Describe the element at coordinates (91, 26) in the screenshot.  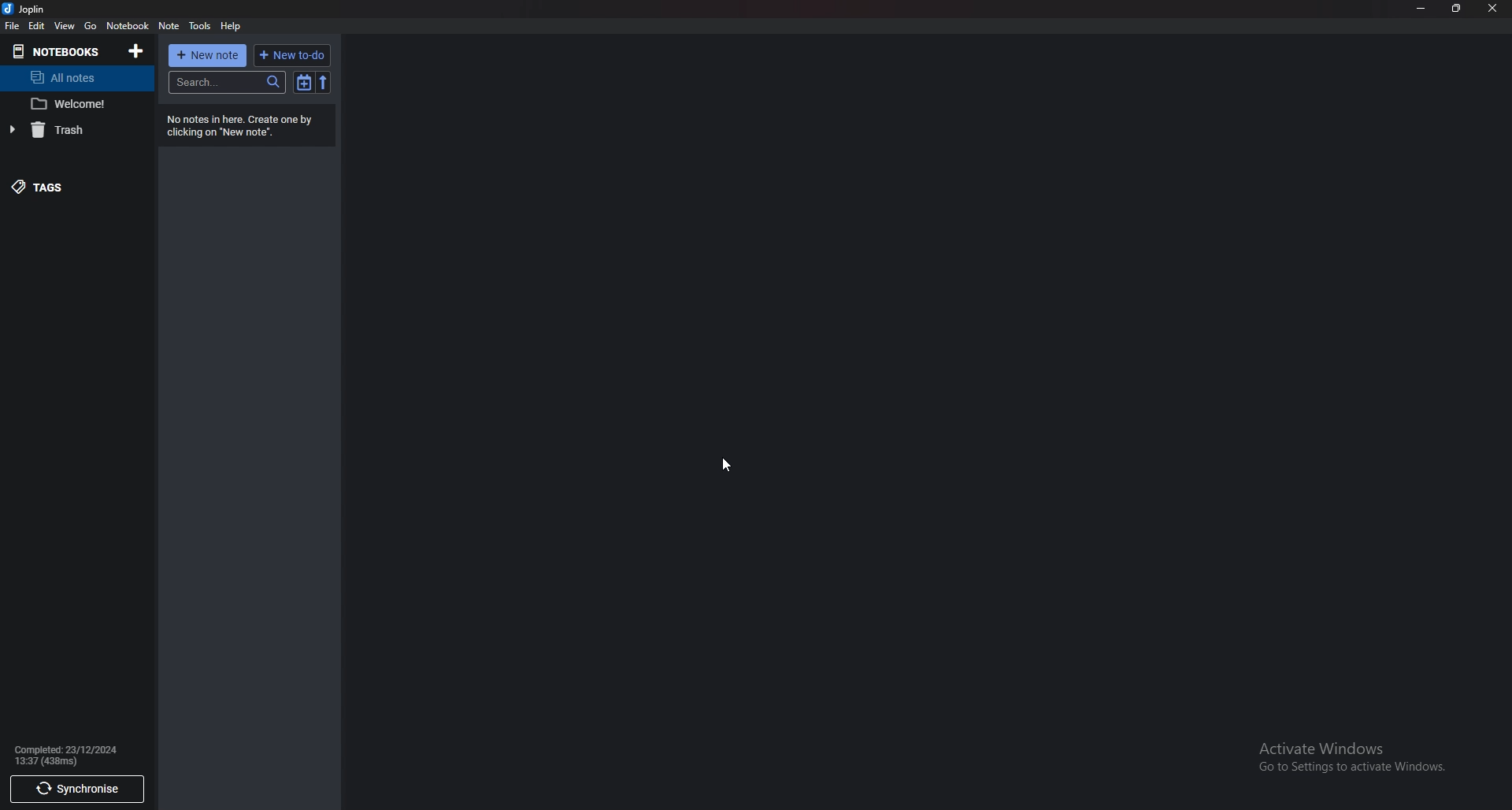
I see `Go` at that location.